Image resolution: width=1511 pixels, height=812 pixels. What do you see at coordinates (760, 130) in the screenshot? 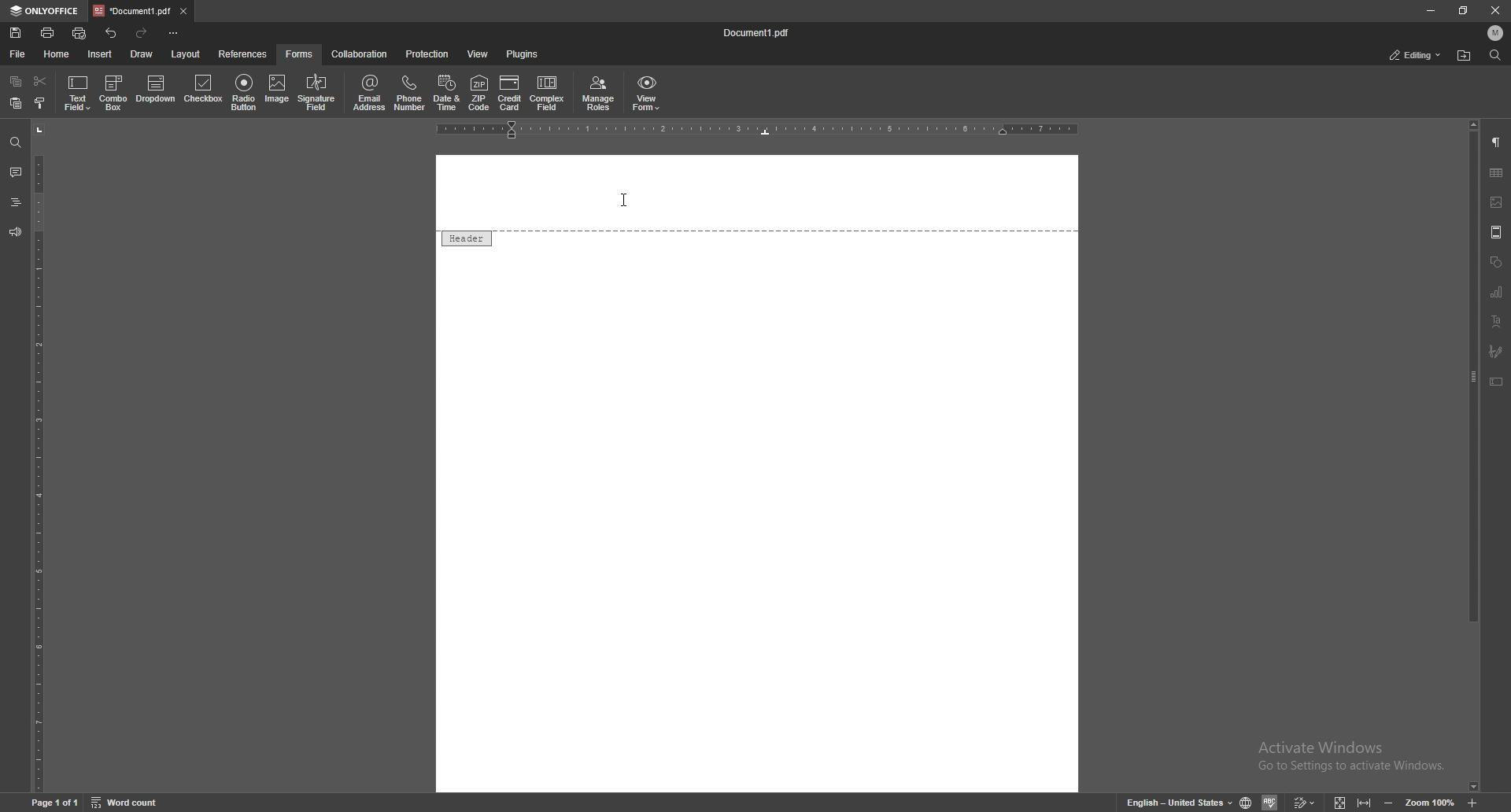
I see `horiztontal scale` at bounding box center [760, 130].